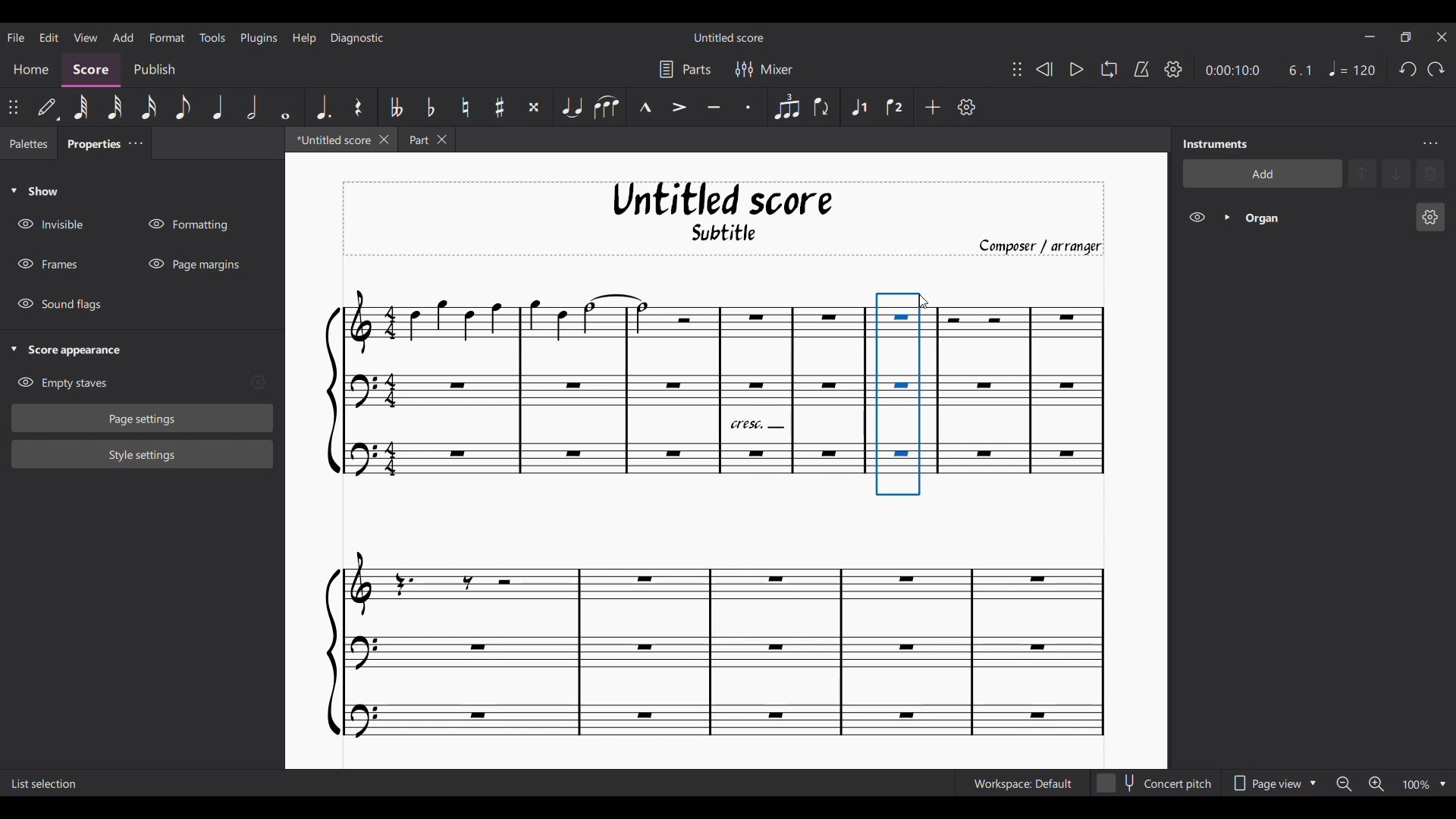  Describe the element at coordinates (1442, 785) in the screenshot. I see `Zoom options` at that location.